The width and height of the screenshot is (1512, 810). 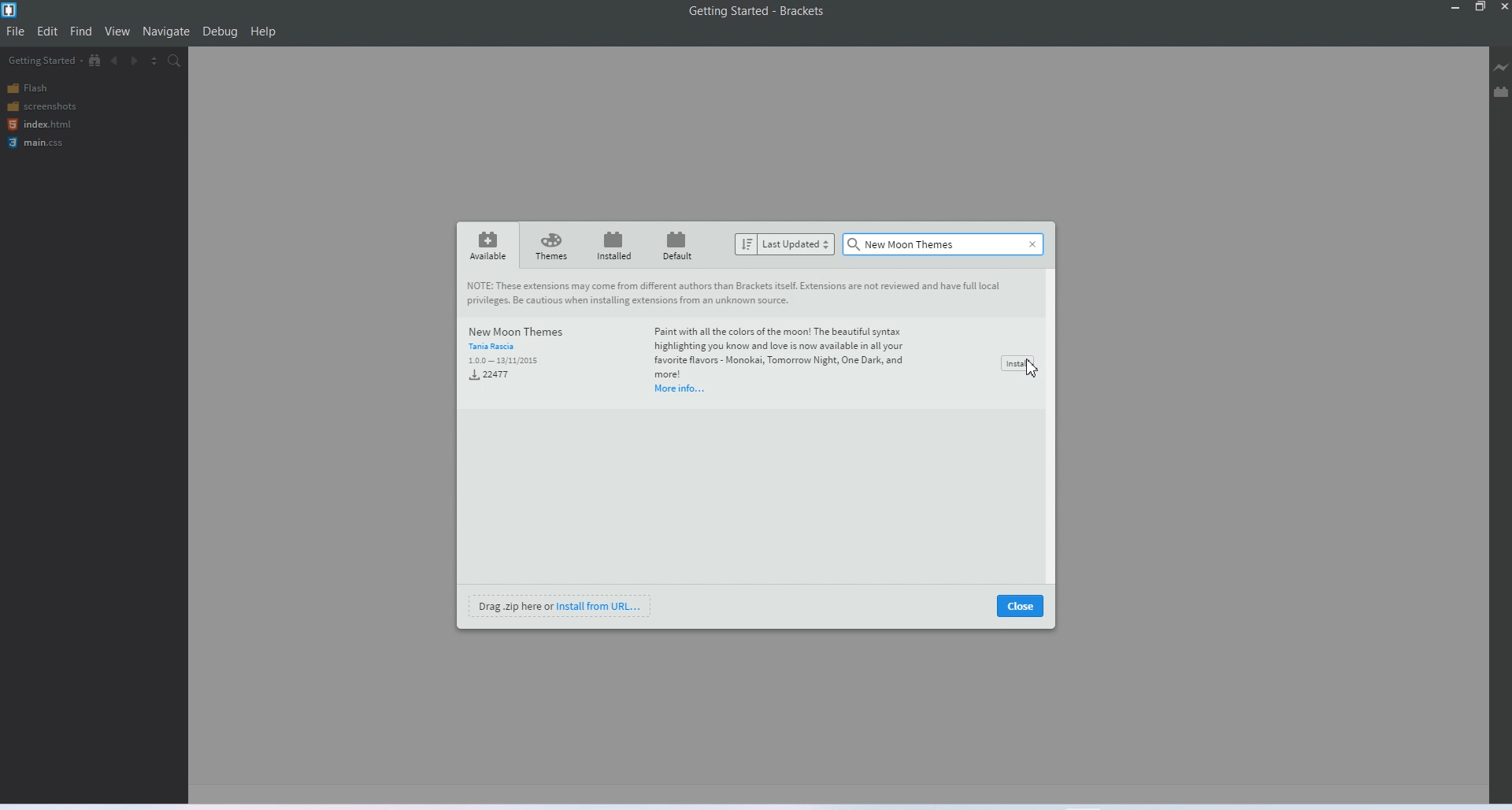 What do you see at coordinates (1032, 244) in the screenshot?
I see `Close` at bounding box center [1032, 244].